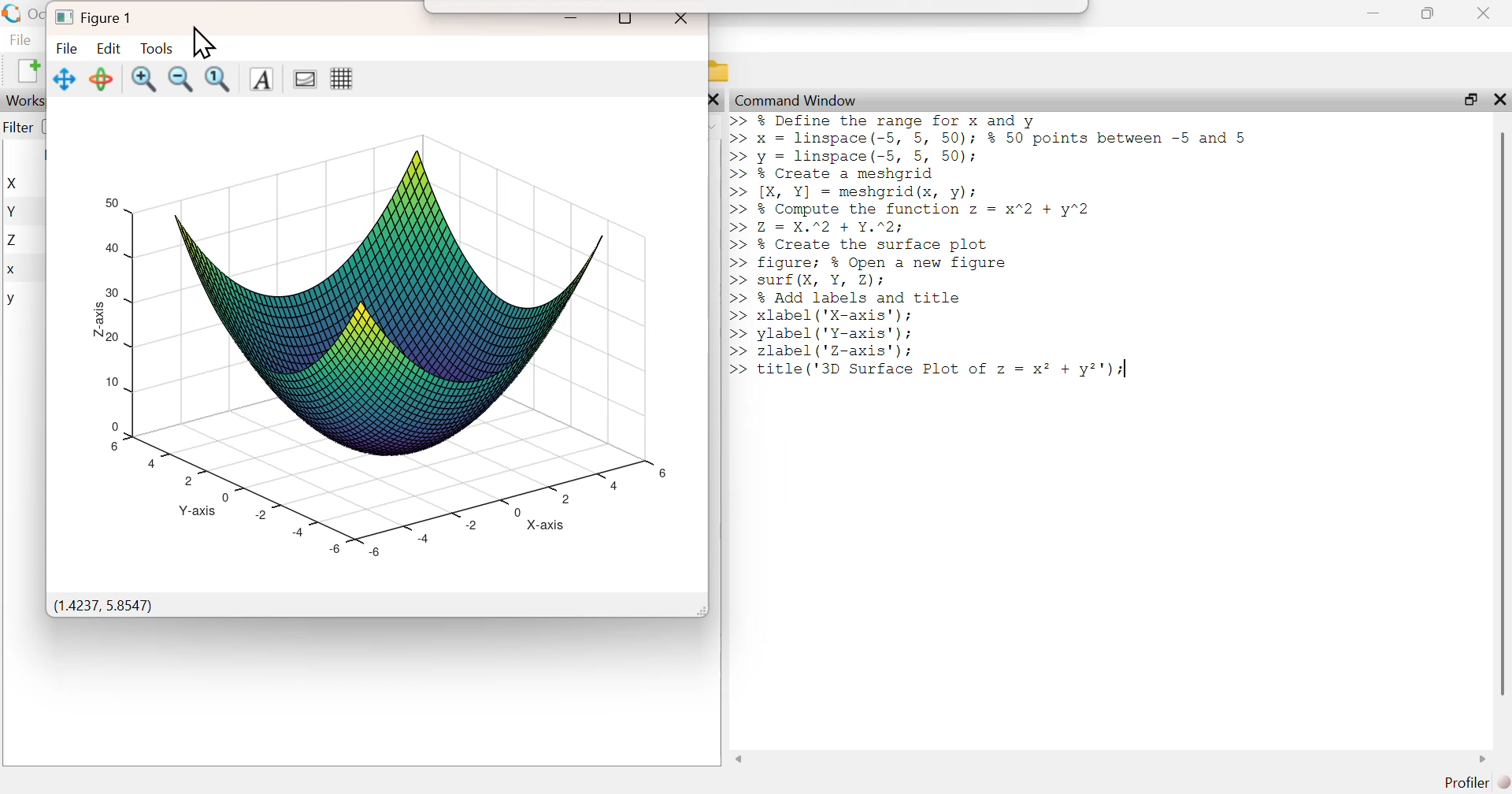 This screenshot has width=1512, height=794. Describe the element at coordinates (11, 300) in the screenshot. I see `y` at that location.